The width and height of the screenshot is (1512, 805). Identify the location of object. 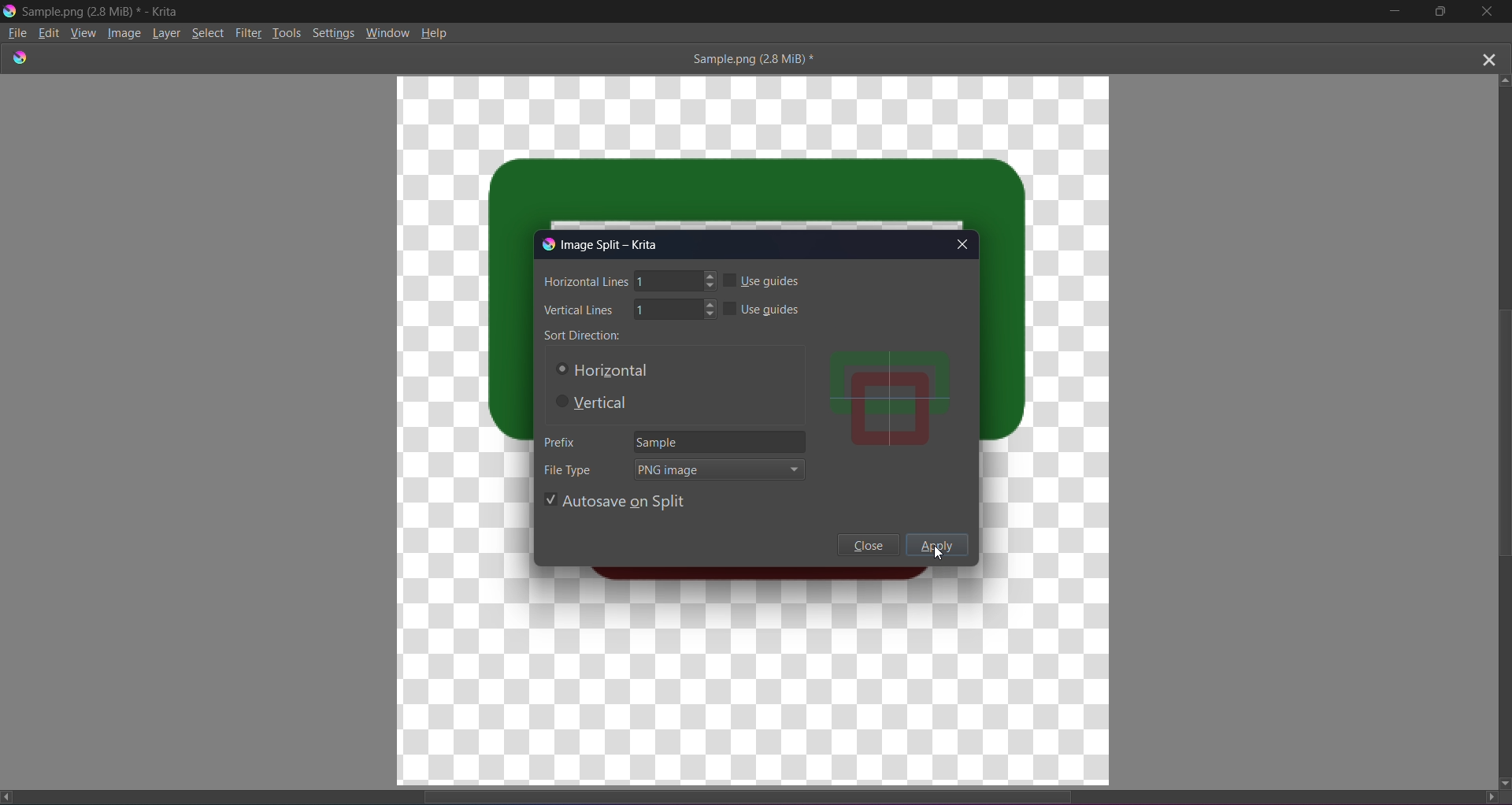
(890, 400).